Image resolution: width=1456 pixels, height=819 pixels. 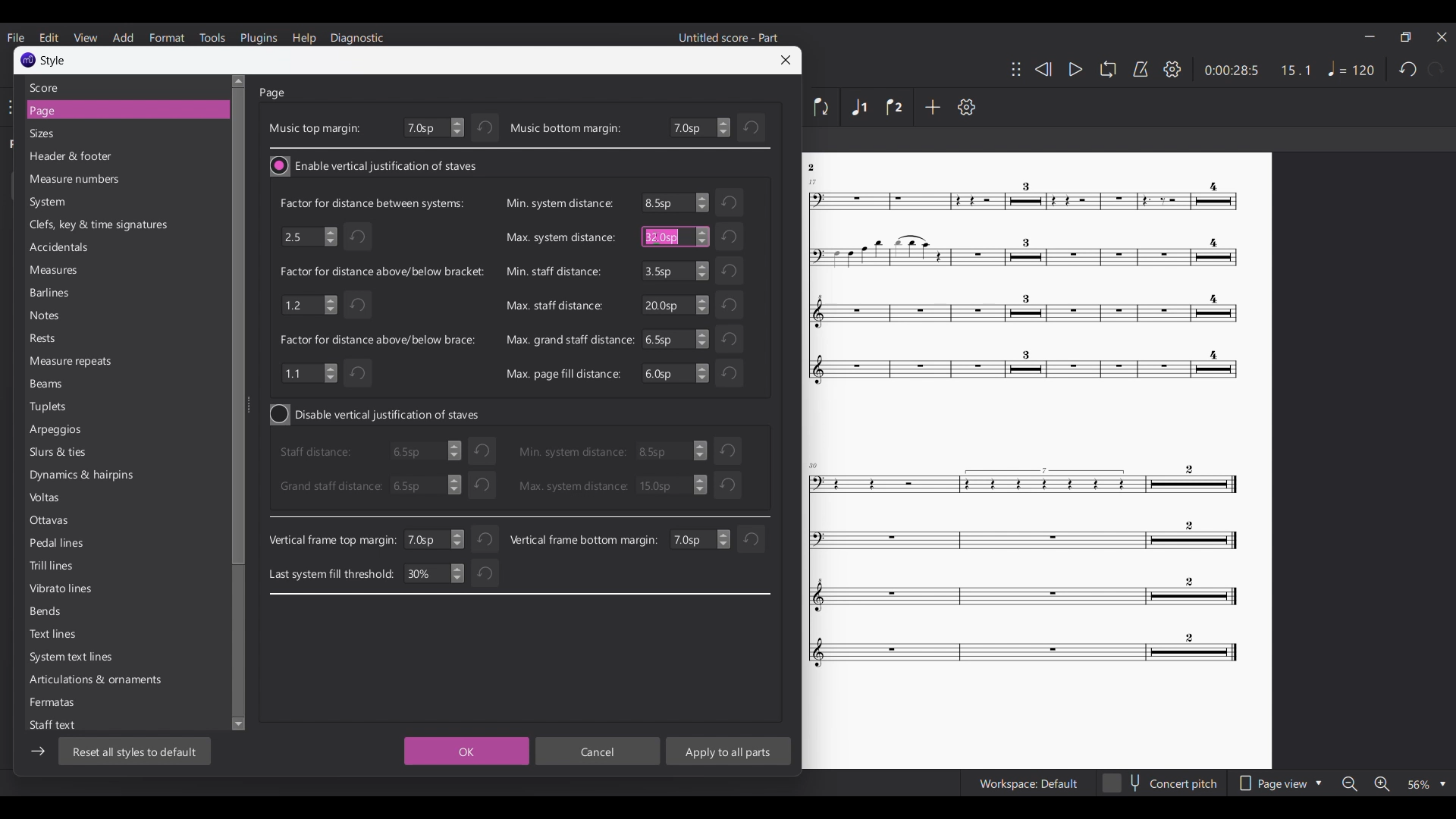 What do you see at coordinates (434, 573) in the screenshot?
I see `30%` at bounding box center [434, 573].